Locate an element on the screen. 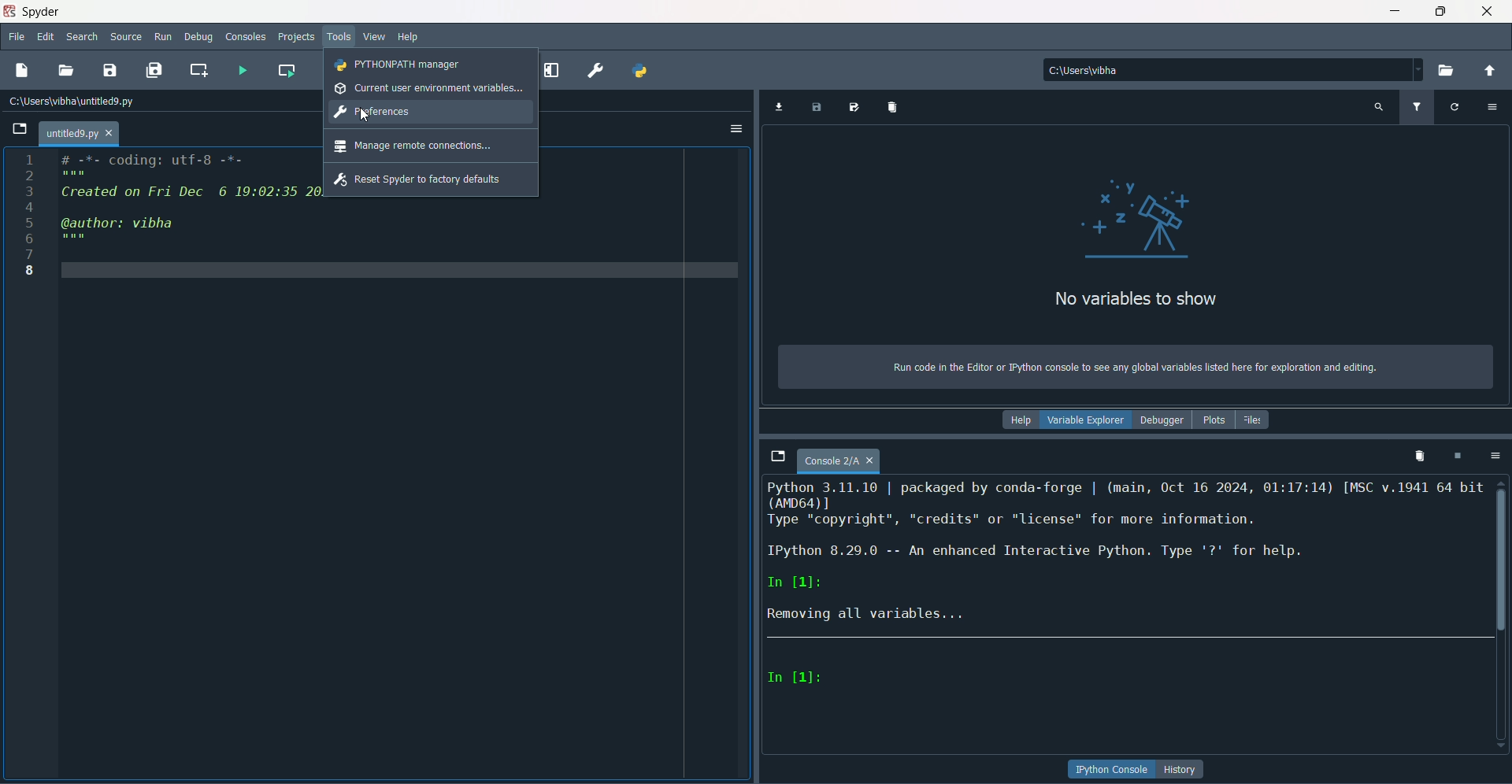 This screenshot has width=1512, height=784. save data as is located at coordinates (856, 108).